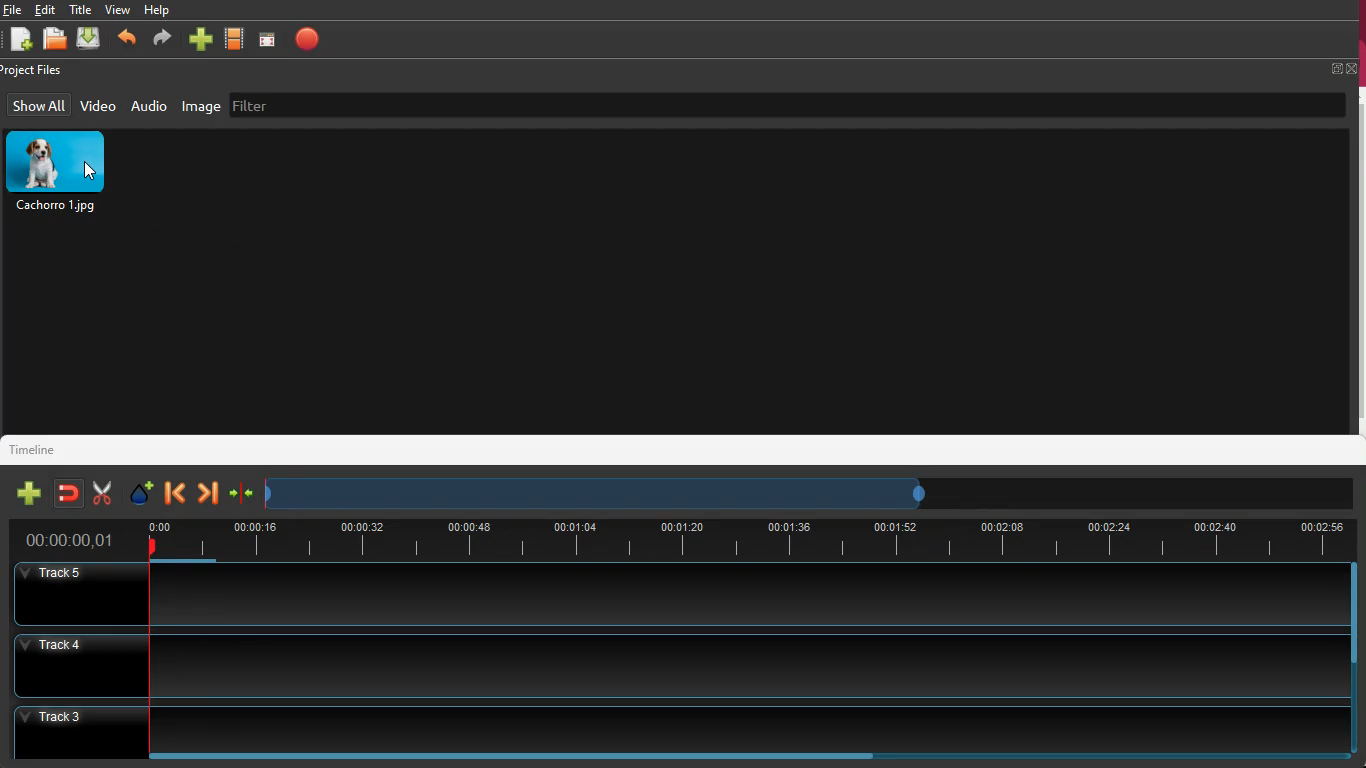  Describe the element at coordinates (41, 448) in the screenshot. I see `timeline` at that location.